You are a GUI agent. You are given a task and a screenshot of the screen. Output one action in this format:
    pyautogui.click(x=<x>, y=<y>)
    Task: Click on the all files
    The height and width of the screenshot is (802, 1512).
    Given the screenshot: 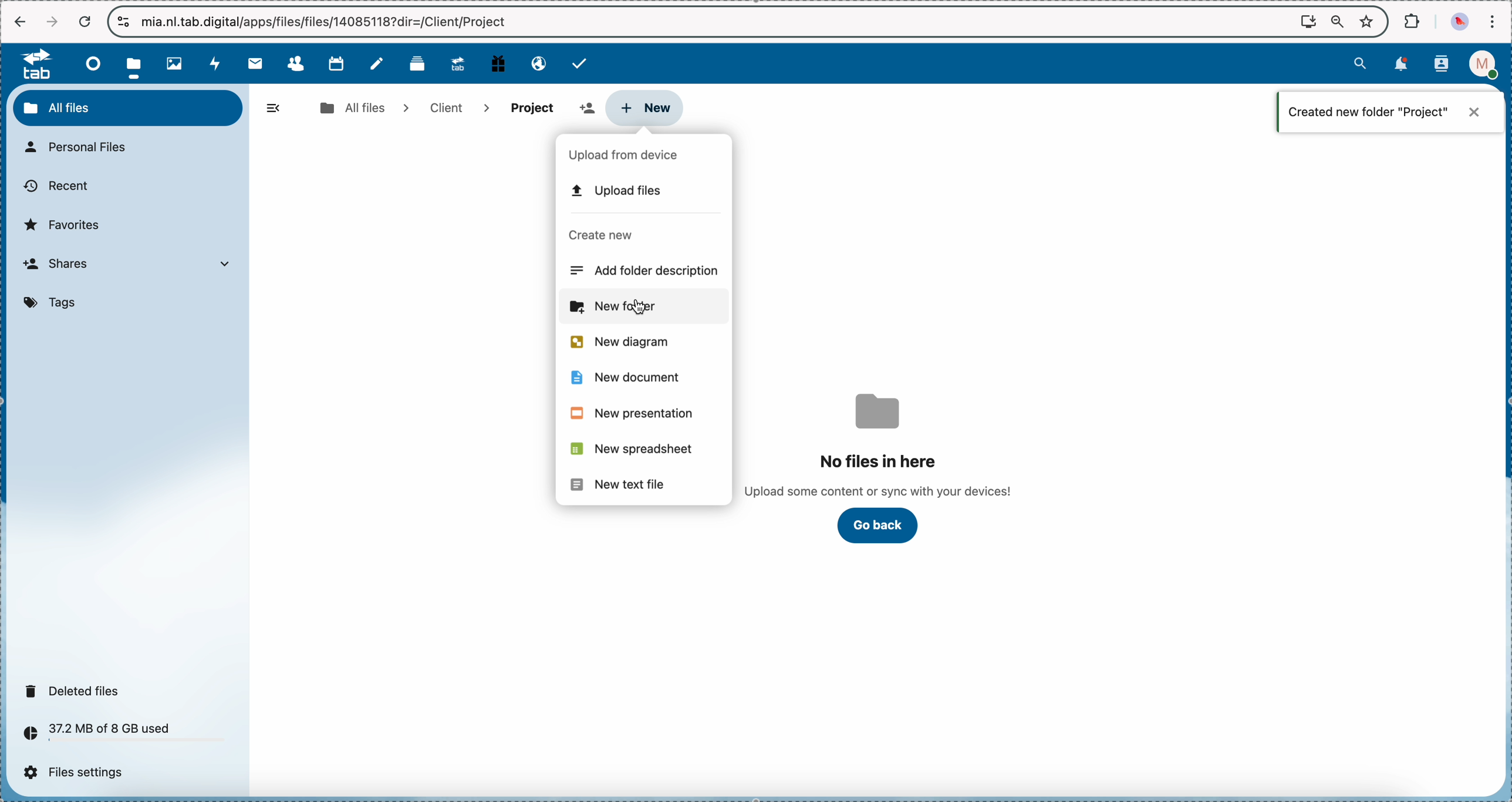 What is the action you would take?
    pyautogui.click(x=363, y=107)
    